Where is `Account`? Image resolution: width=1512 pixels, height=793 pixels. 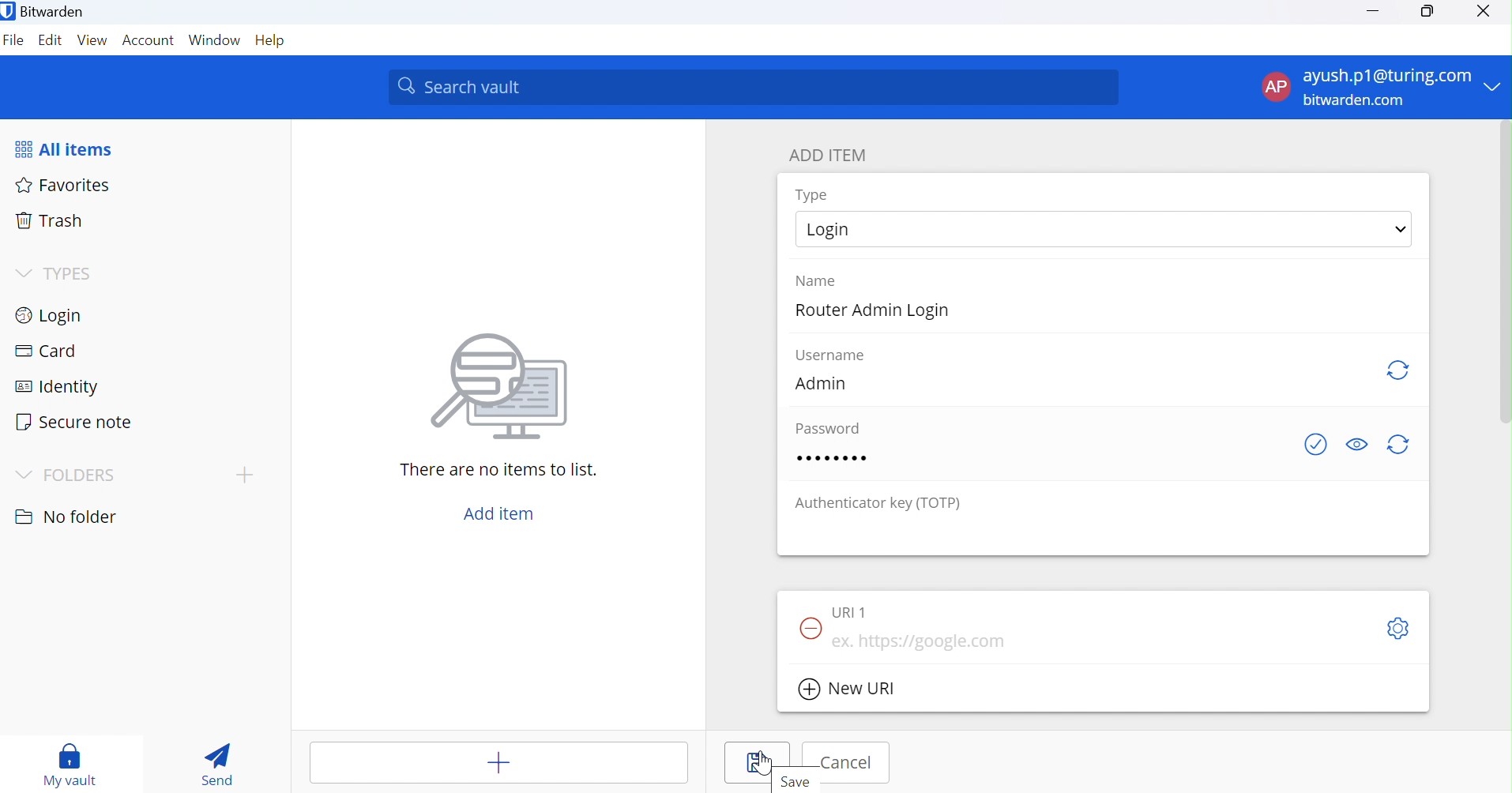
Account is located at coordinates (149, 41).